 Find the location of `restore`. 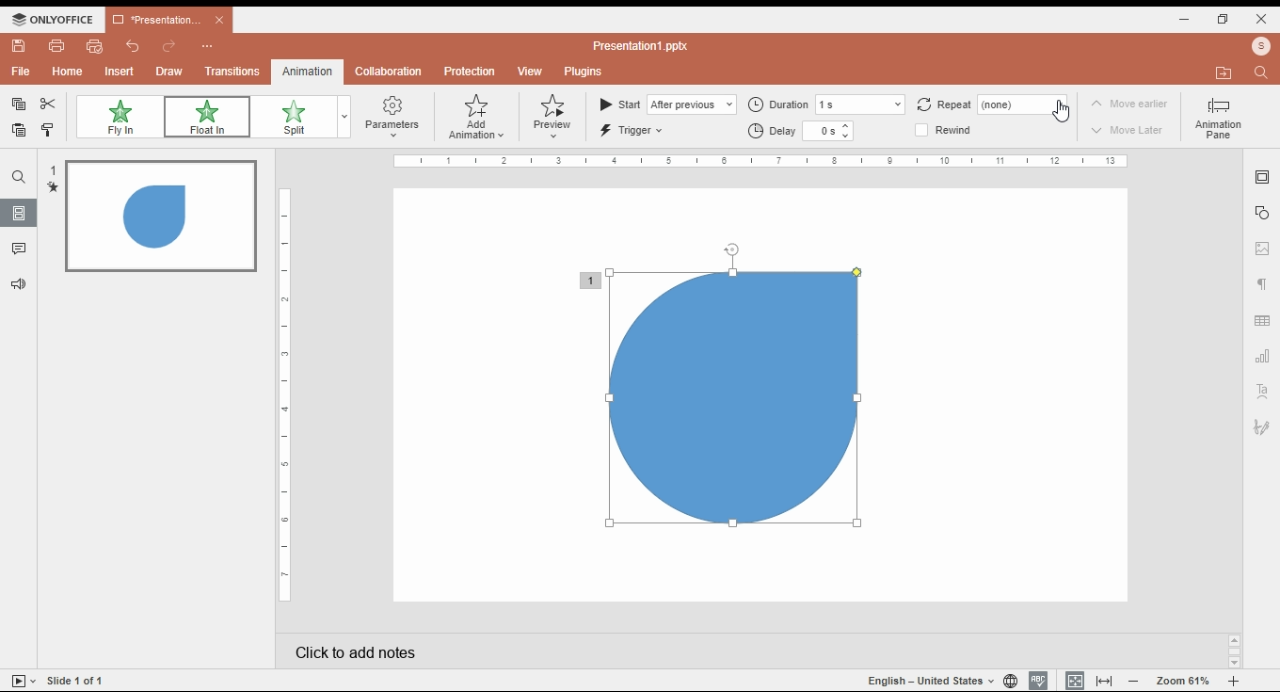

restore is located at coordinates (1224, 20).